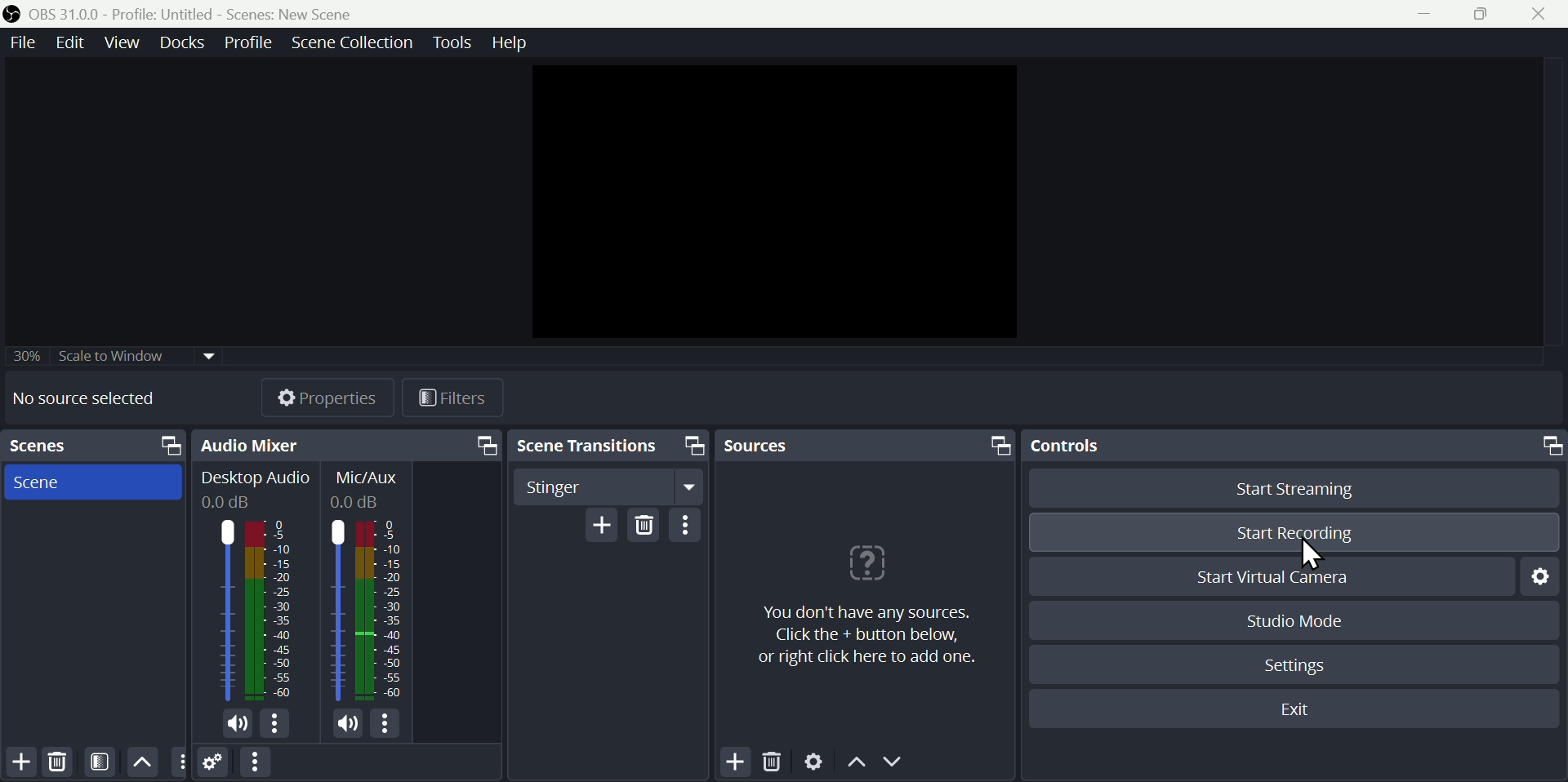 This screenshot has height=782, width=1568. What do you see at coordinates (1543, 15) in the screenshot?
I see `Close` at bounding box center [1543, 15].